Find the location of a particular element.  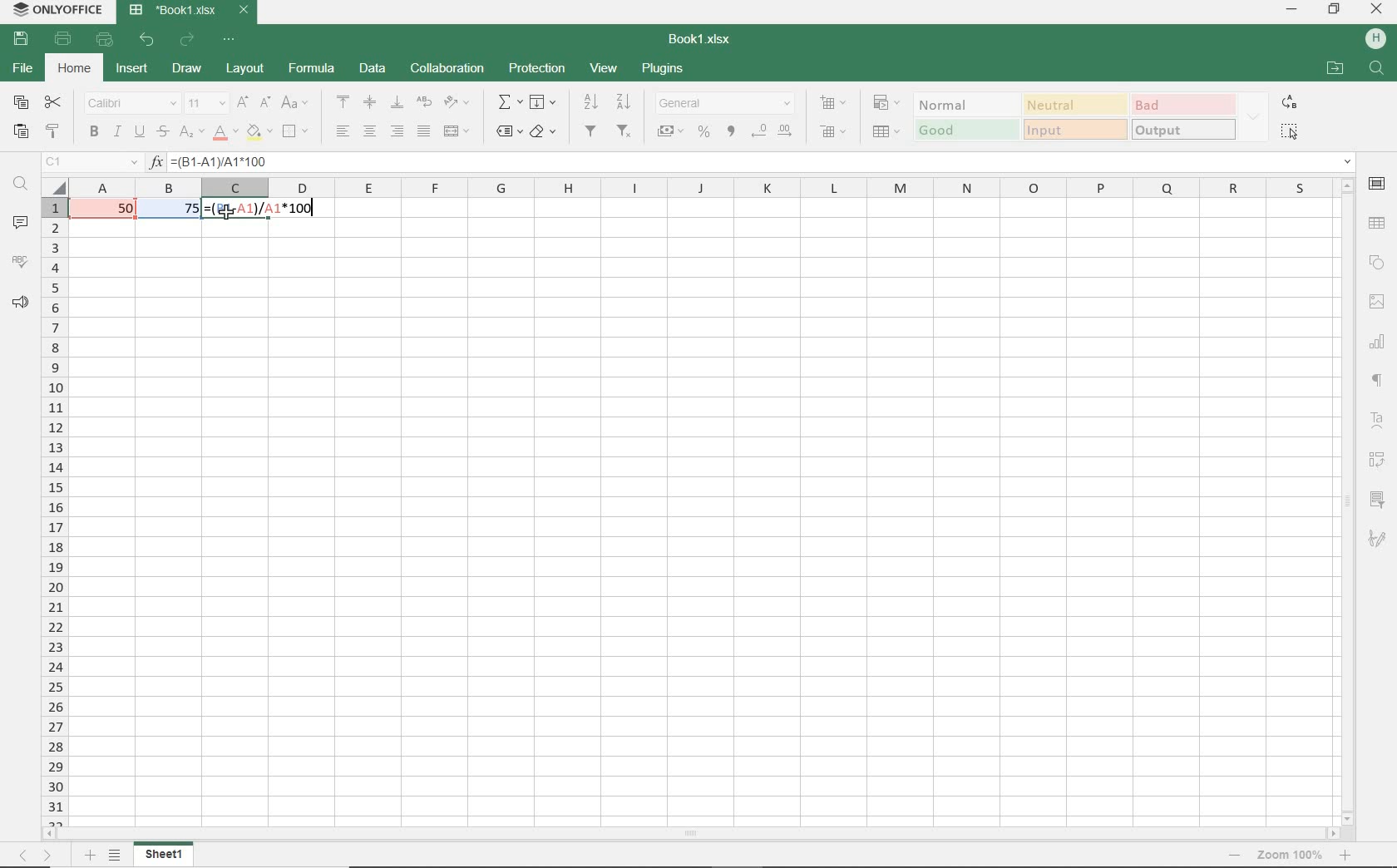

borders is located at coordinates (297, 131).